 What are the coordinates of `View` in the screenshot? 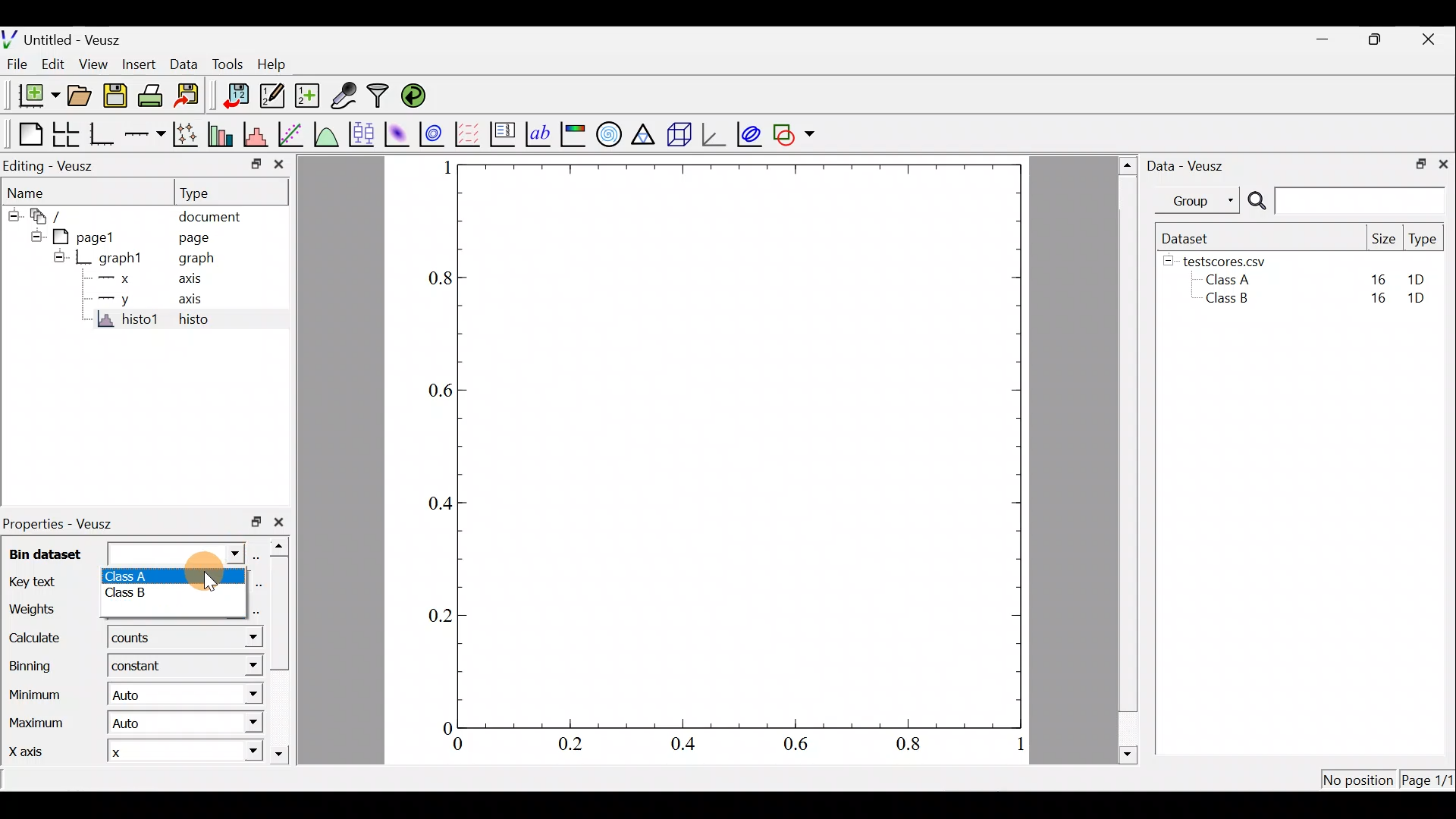 It's located at (93, 65).